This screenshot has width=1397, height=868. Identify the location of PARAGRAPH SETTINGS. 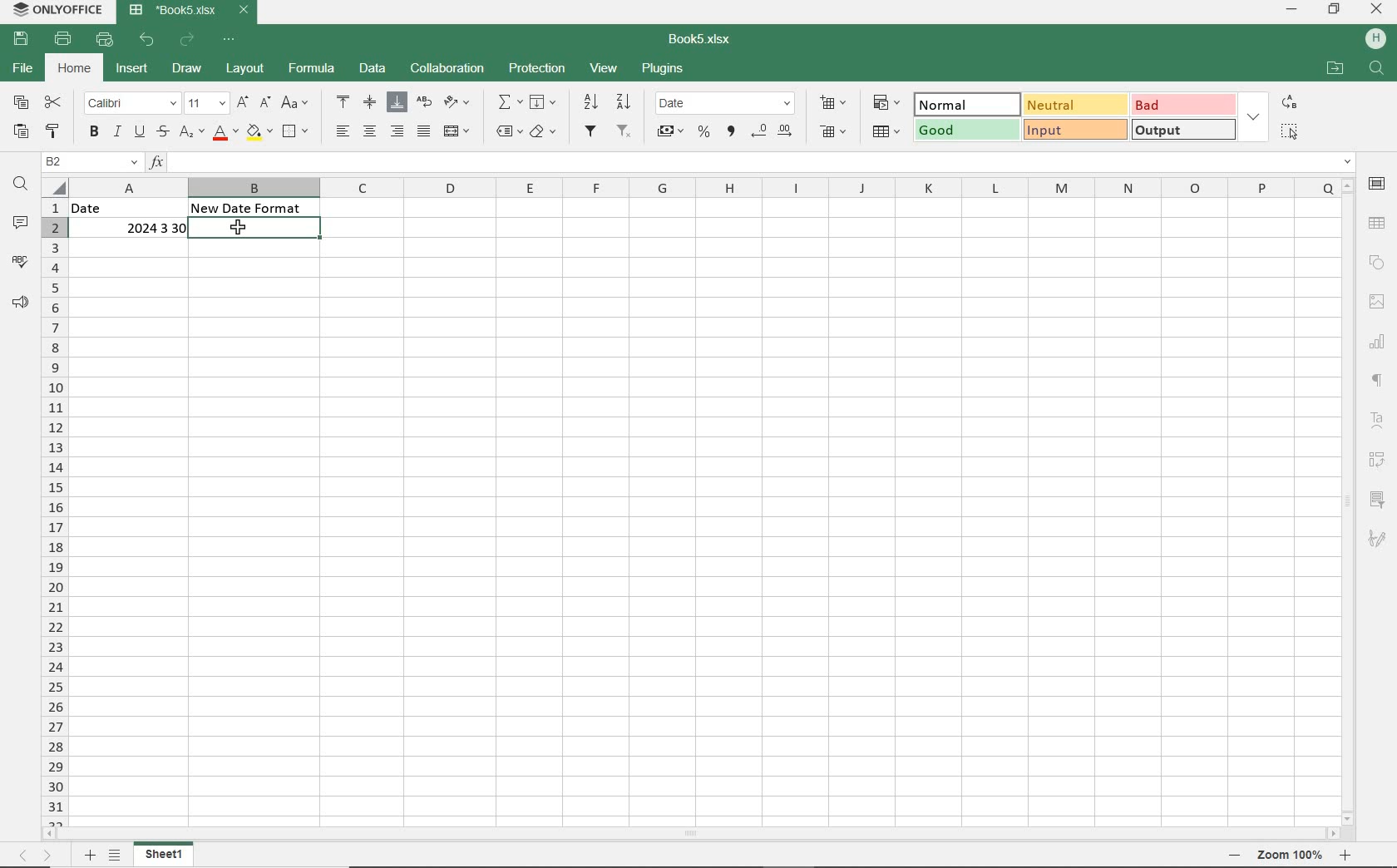
(1380, 382).